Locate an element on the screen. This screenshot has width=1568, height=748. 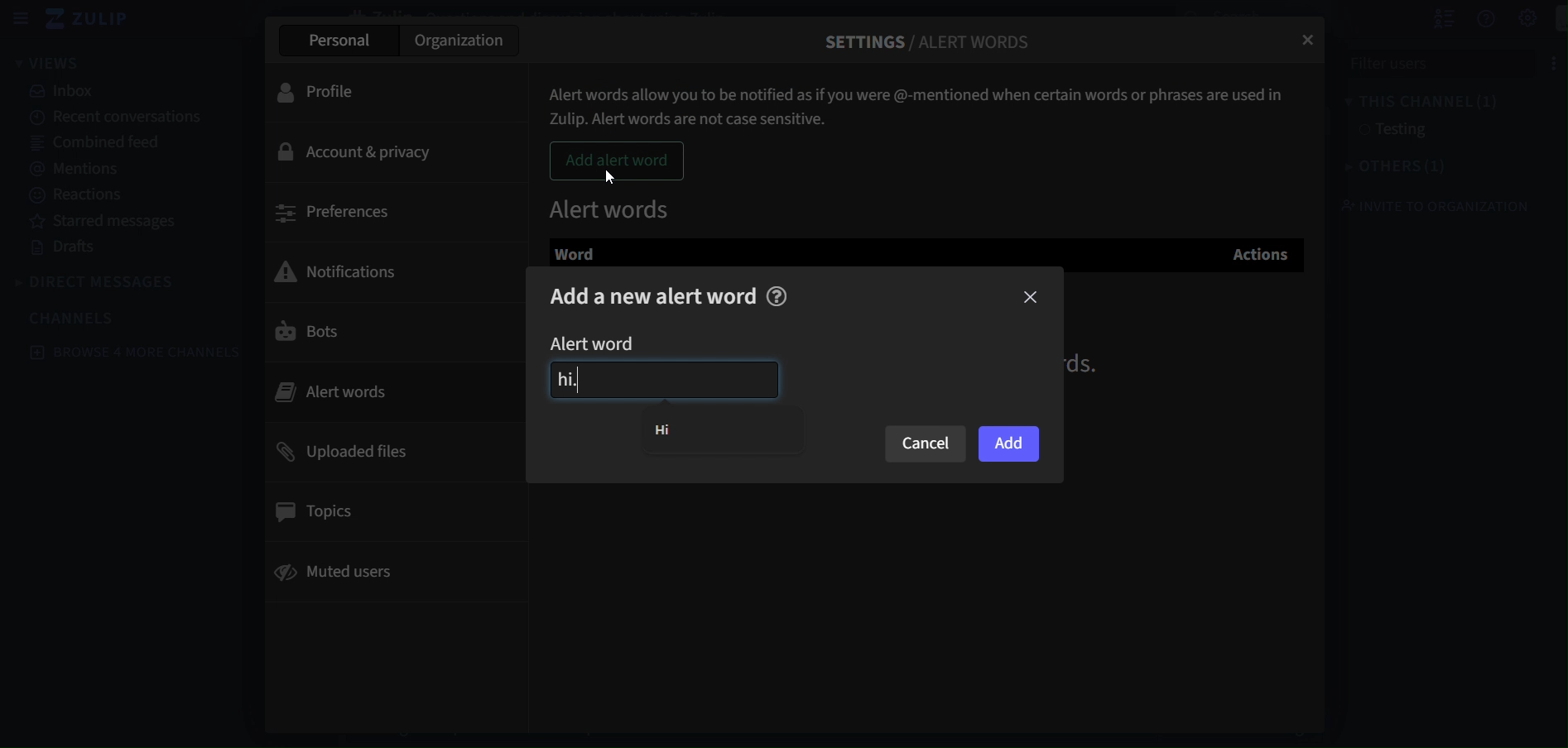
add a new alert word is located at coordinates (655, 296).